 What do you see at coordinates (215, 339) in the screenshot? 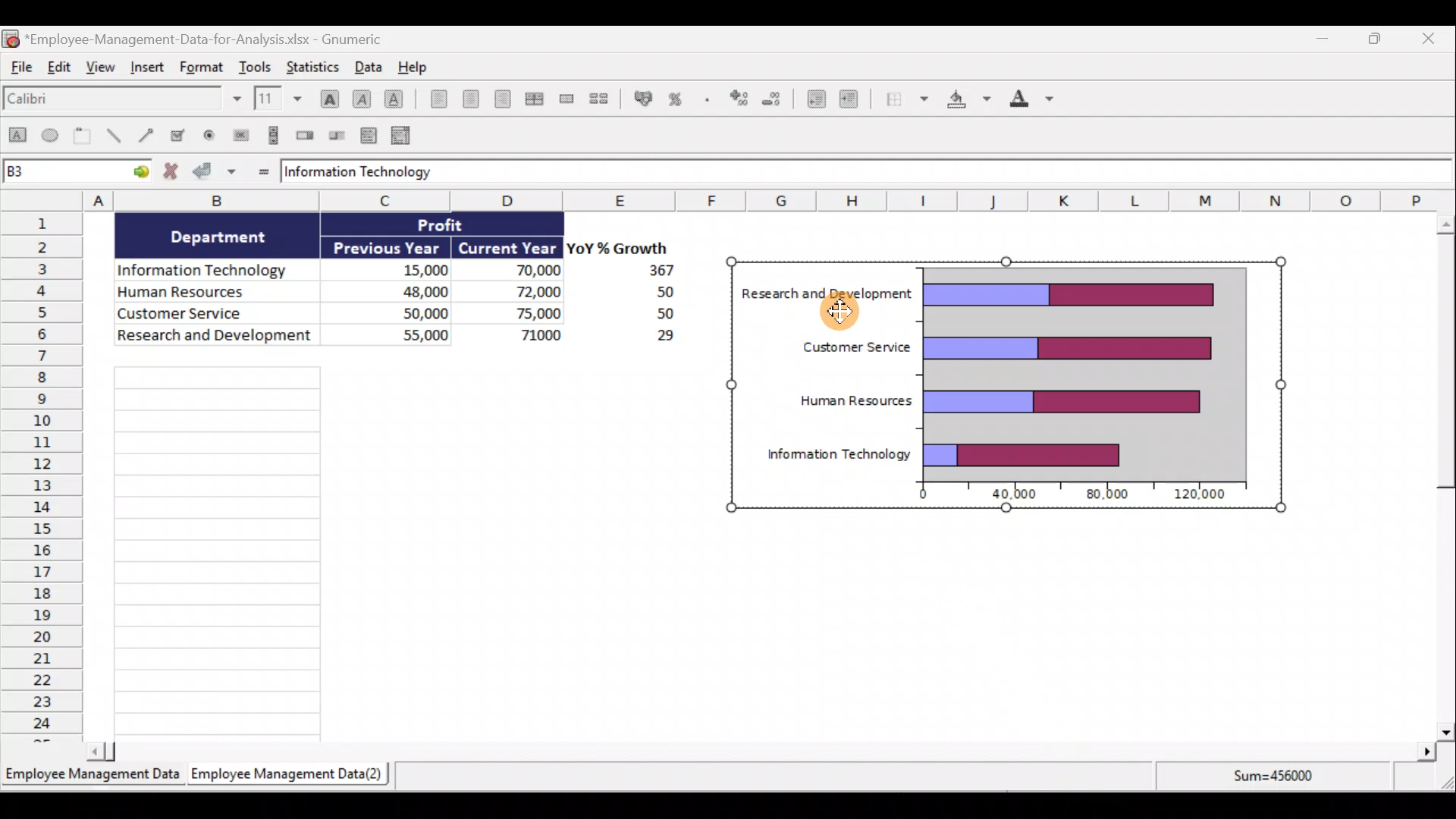
I see `Research and Development` at bounding box center [215, 339].